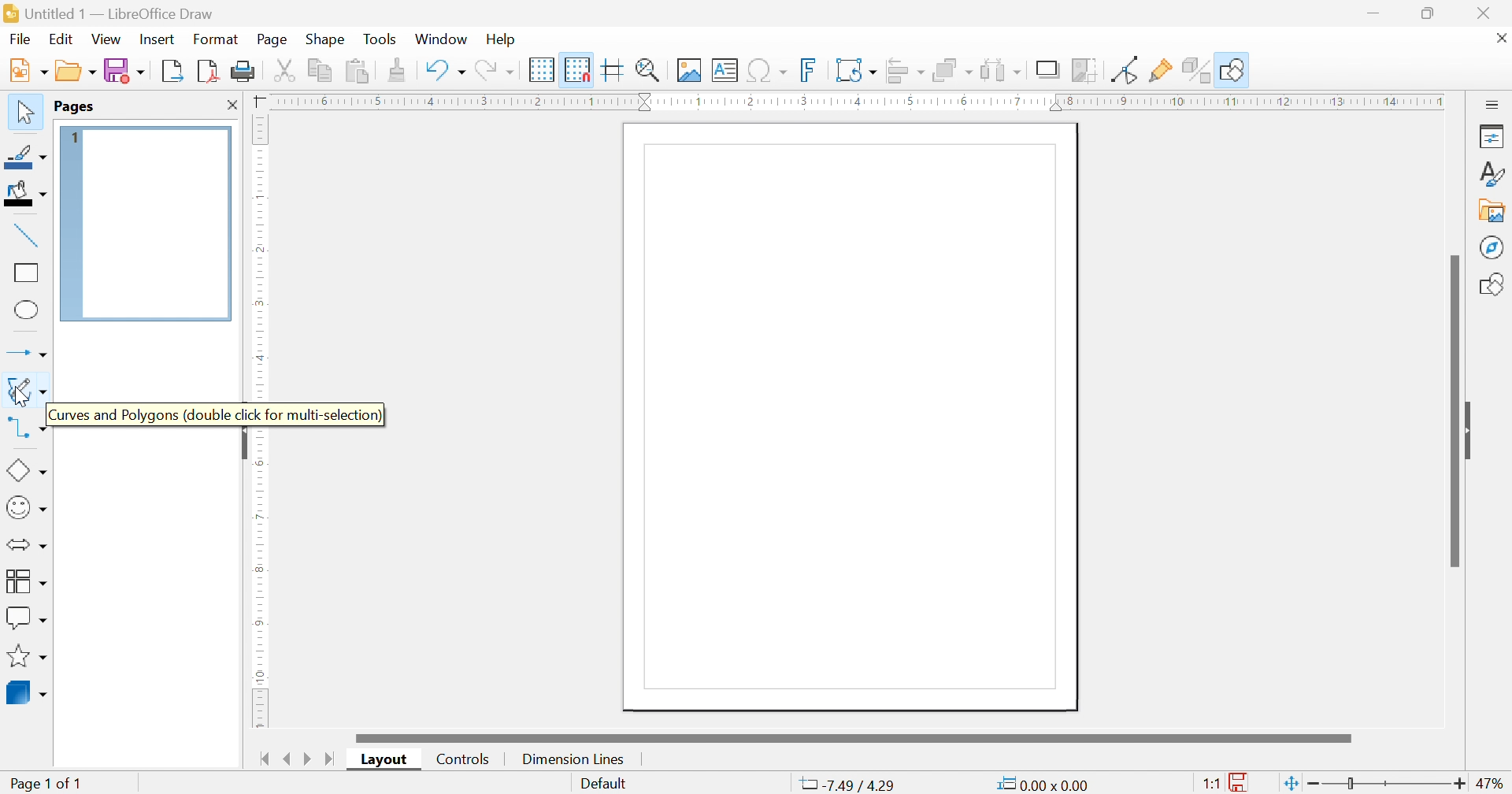  Describe the element at coordinates (1213, 785) in the screenshot. I see `1:1` at that location.